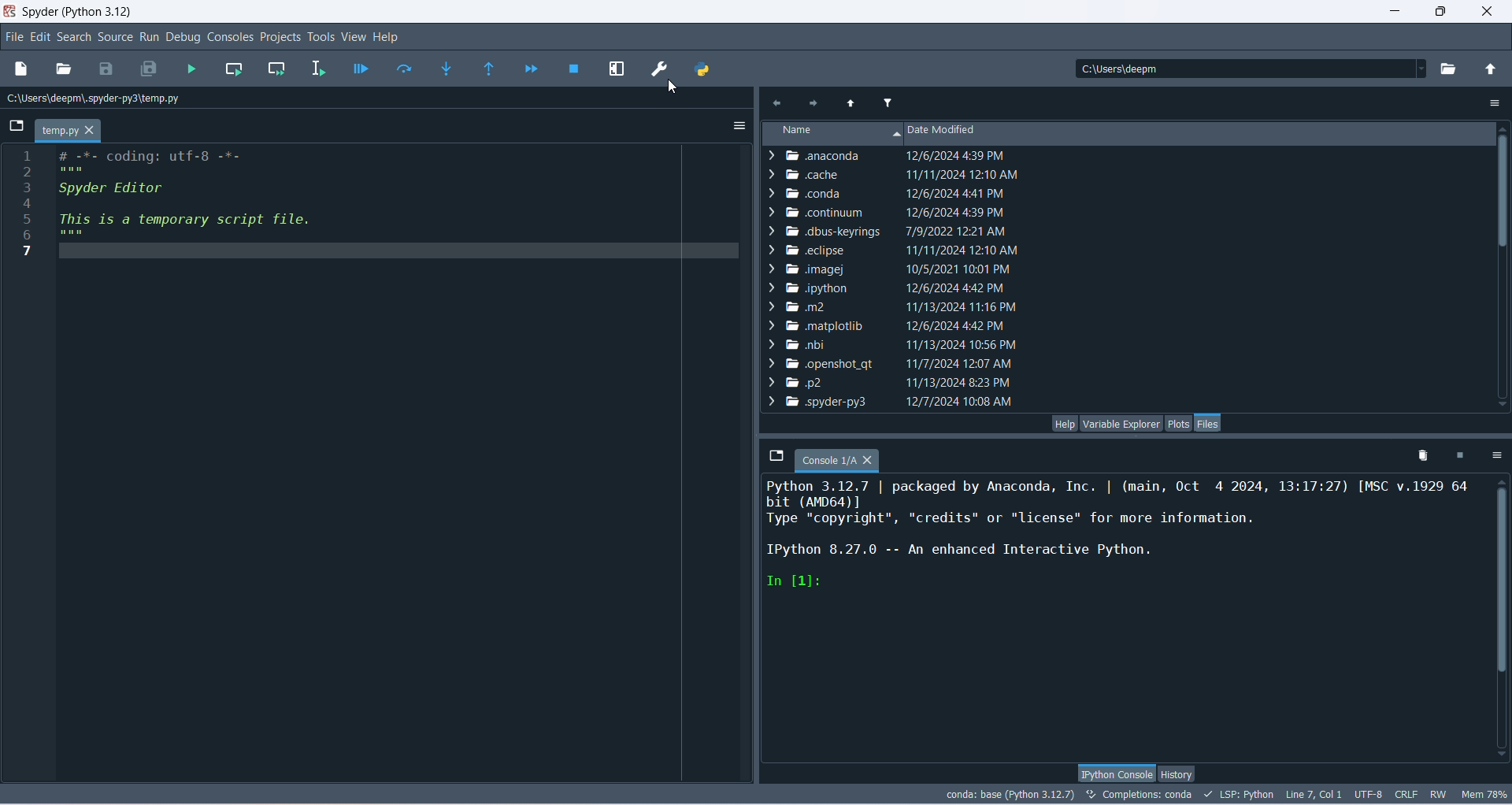 Image resolution: width=1512 pixels, height=805 pixels. What do you see at coordinates (107, 71) in the screenshot?
I see `save` at bounding box center [107, 71].